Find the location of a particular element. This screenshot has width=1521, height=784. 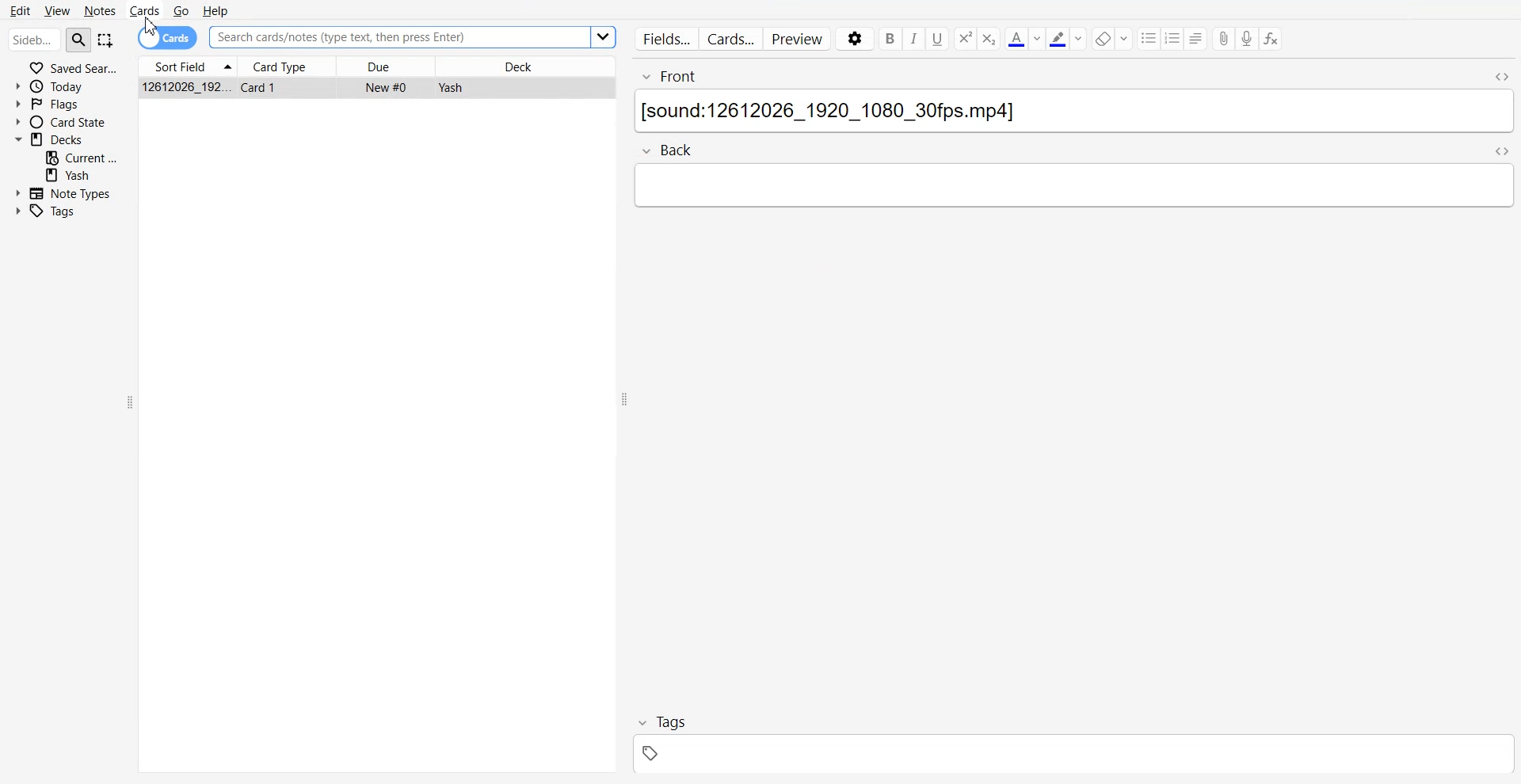

Equations is located at coordinates (1271, 40).